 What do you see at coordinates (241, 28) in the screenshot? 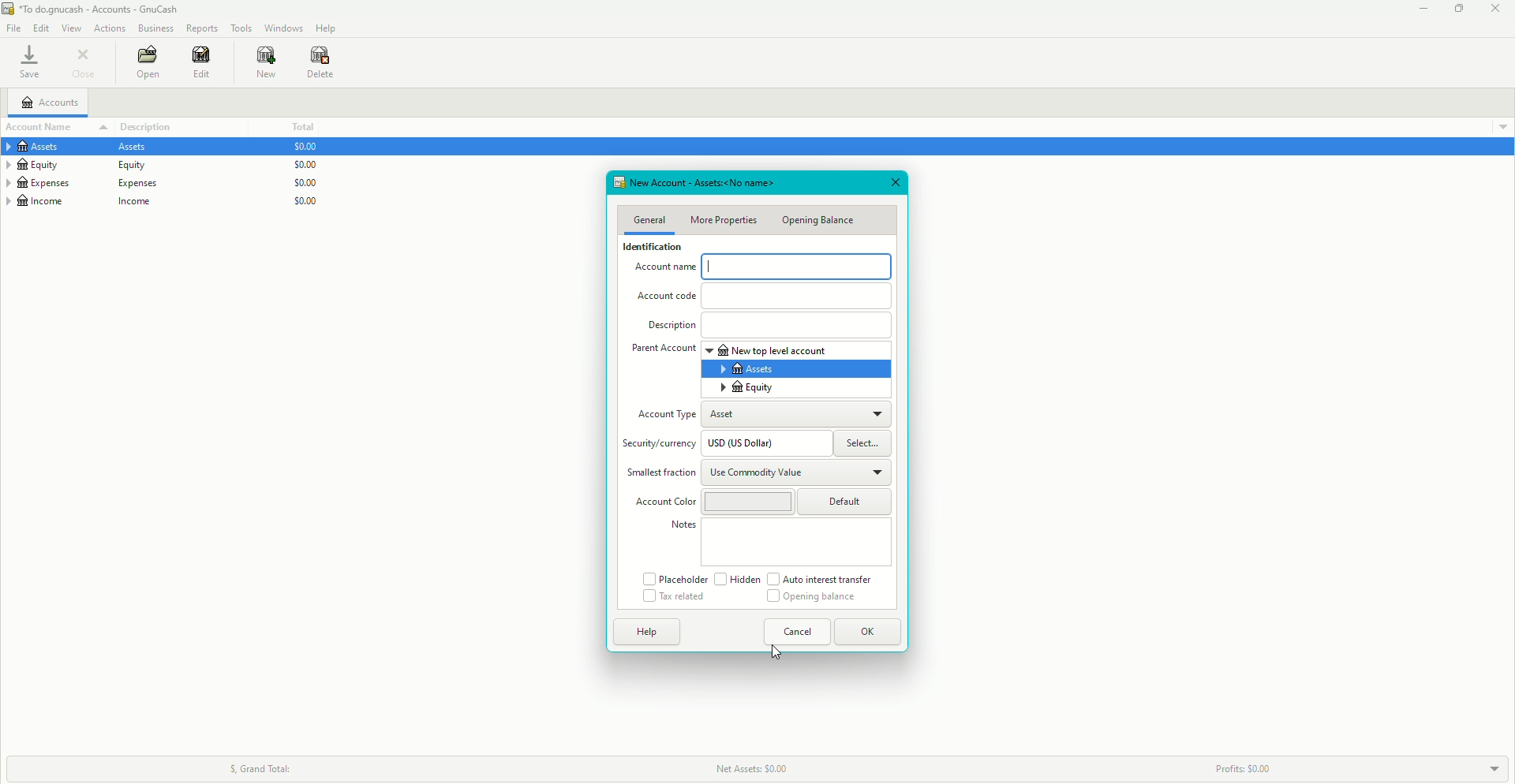
I see `Tools` at bounding box center [241, 28].